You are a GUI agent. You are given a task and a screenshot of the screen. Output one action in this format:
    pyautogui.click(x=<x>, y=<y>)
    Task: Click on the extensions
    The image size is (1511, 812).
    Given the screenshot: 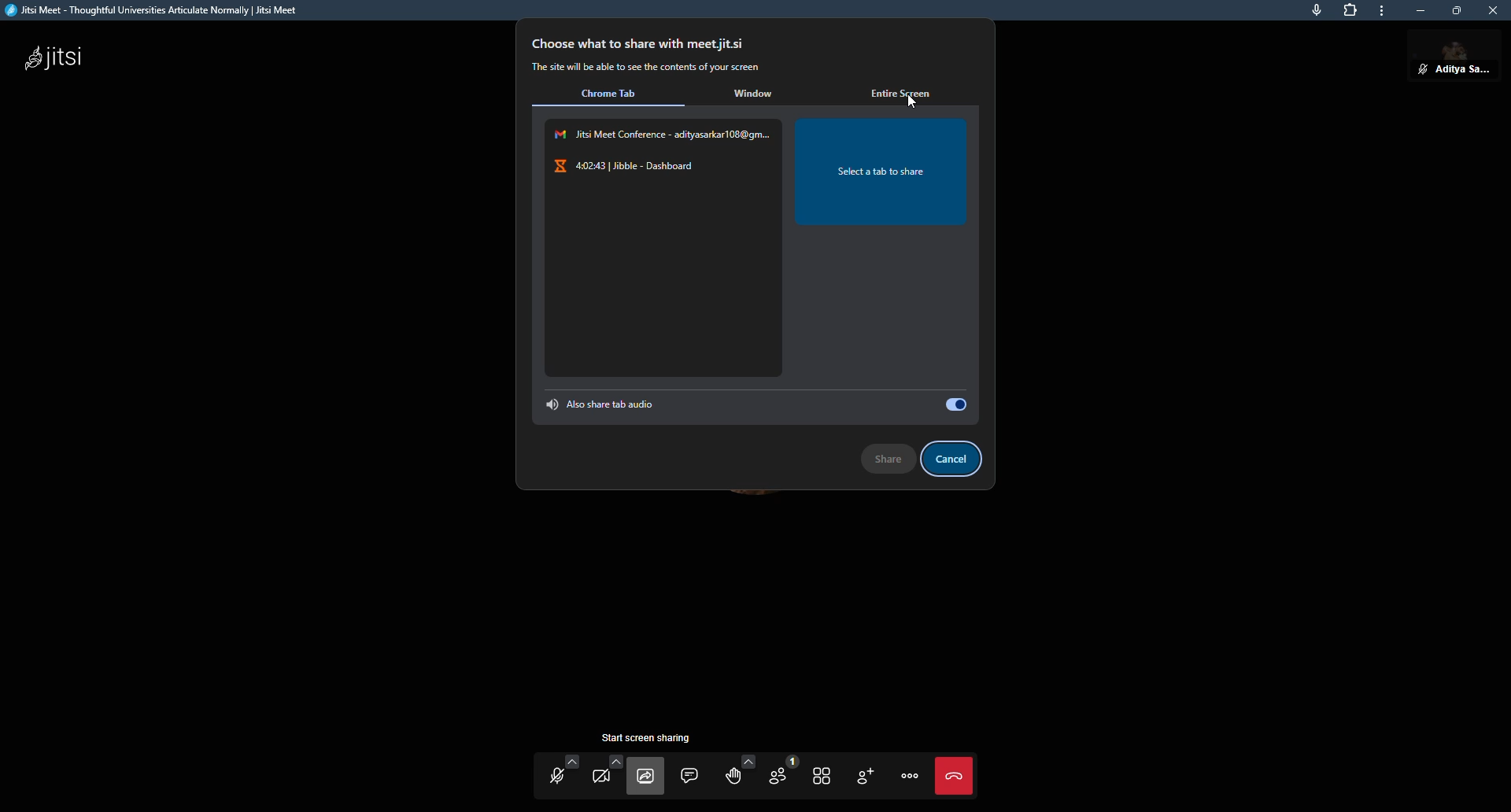 What is the action you would take?
    pyautogui.click(x=1351, y=13)
    